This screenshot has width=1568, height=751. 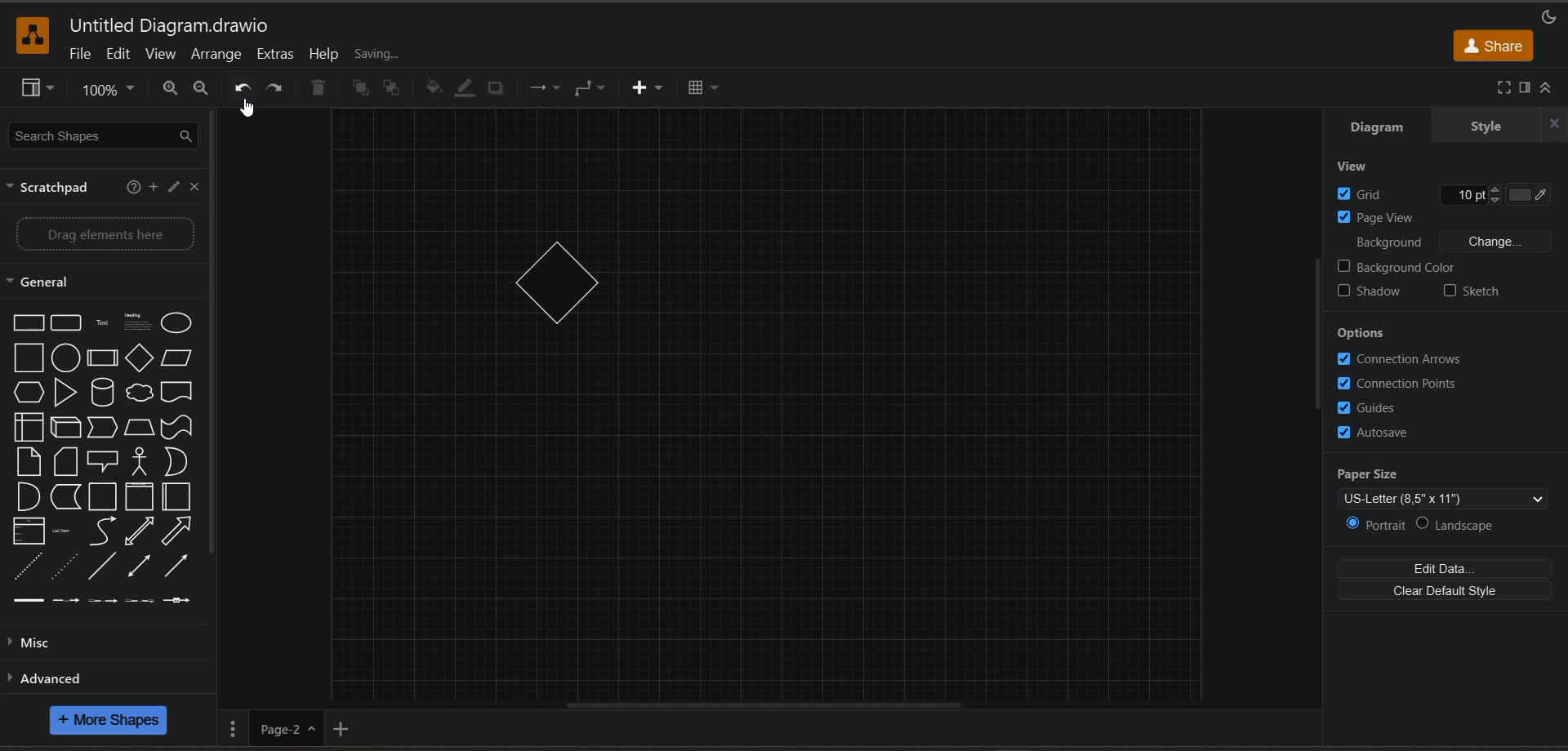 I want to click on clear default style, so click(x=1453, y=591).